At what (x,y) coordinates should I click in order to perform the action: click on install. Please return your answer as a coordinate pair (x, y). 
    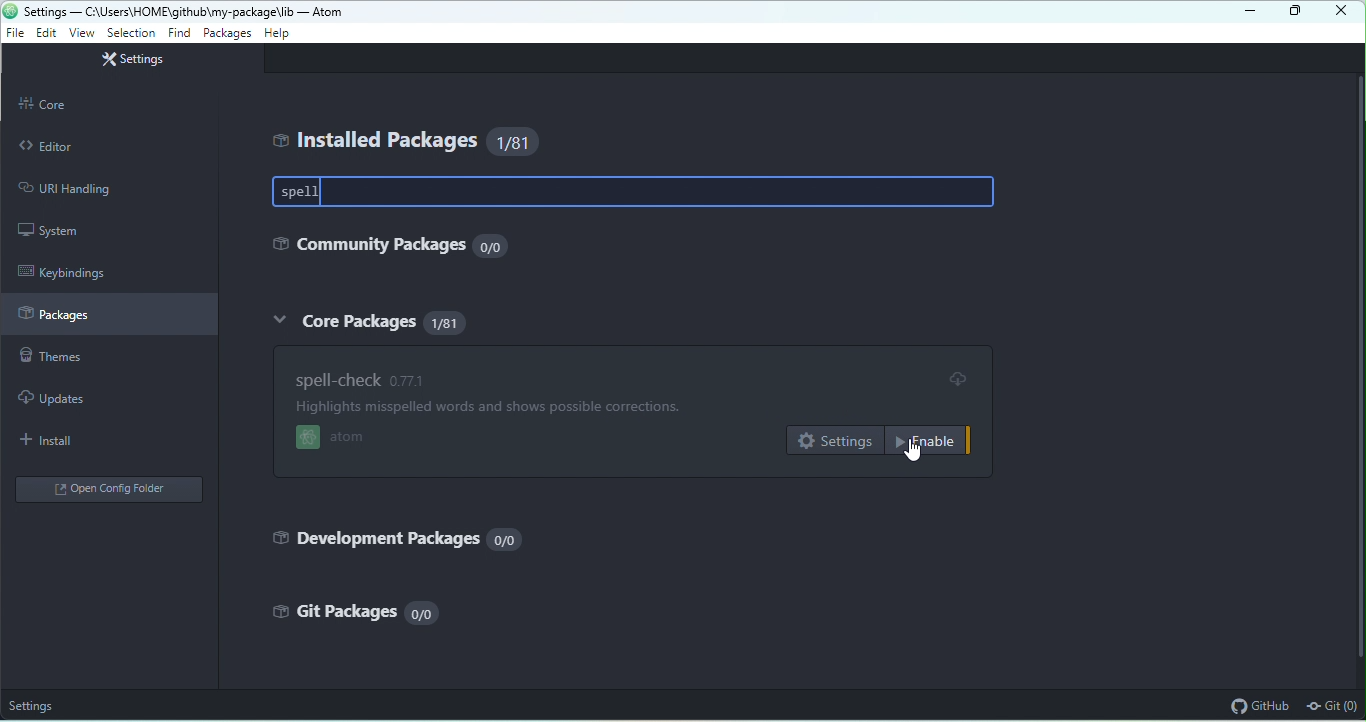
    Looking at the image, I should click on (55, 441).